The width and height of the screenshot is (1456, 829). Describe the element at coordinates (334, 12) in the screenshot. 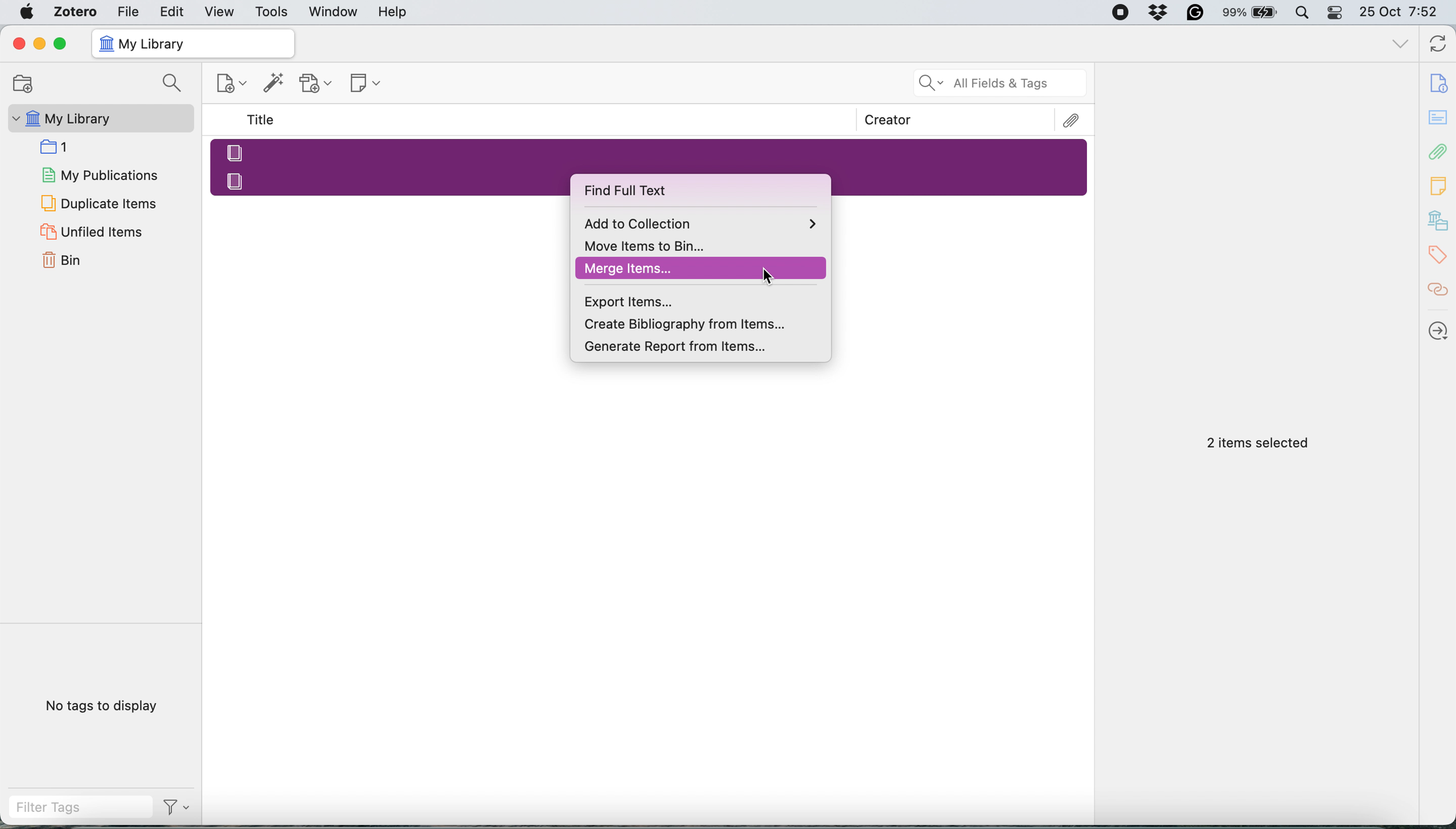

I see `Window` at that location.